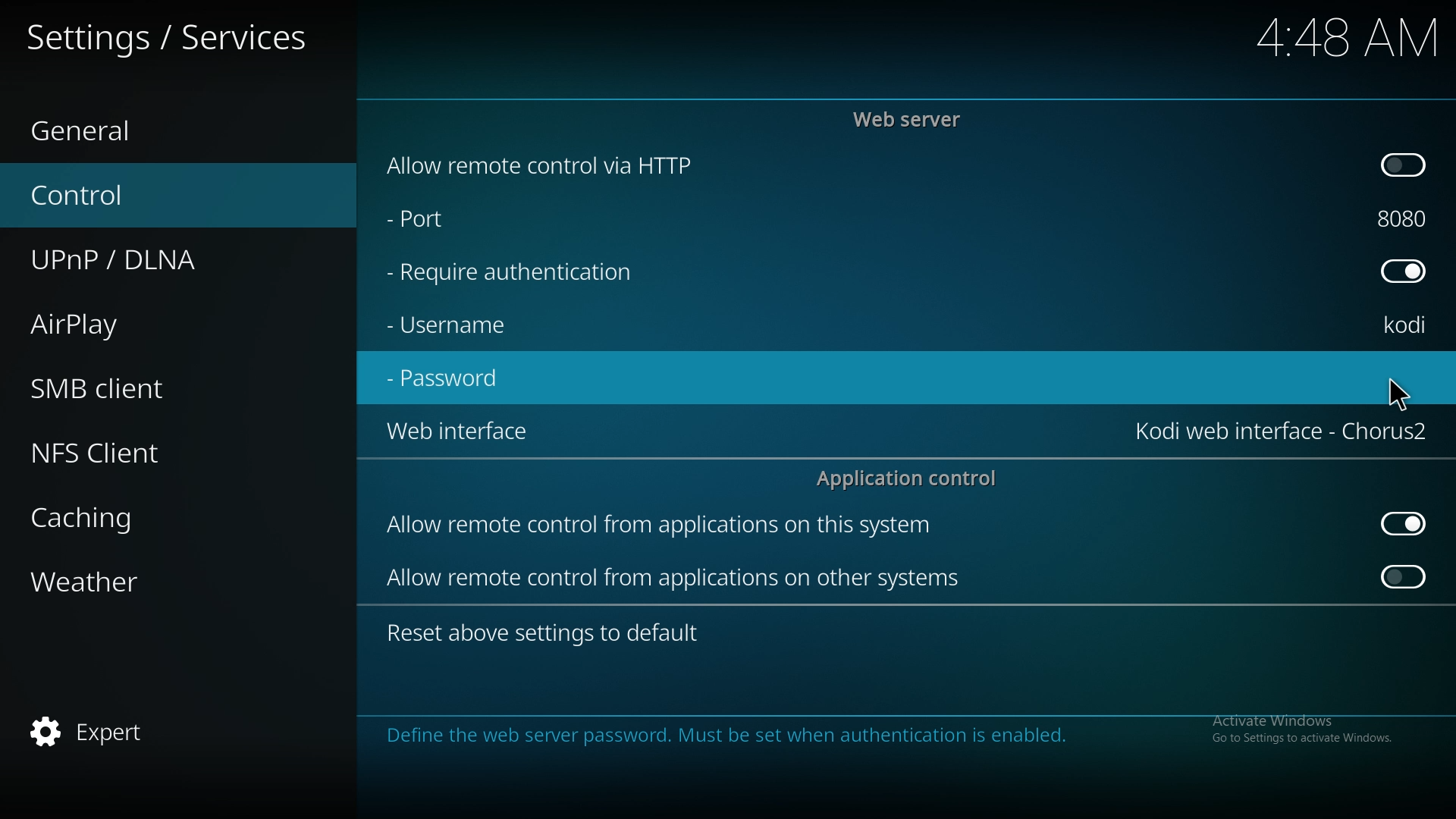 Image resolution: width=1456 pixels, height=819 pixels. Describe the element at coordinates (1406, 167) in the screenshot. I see `on` at that location.